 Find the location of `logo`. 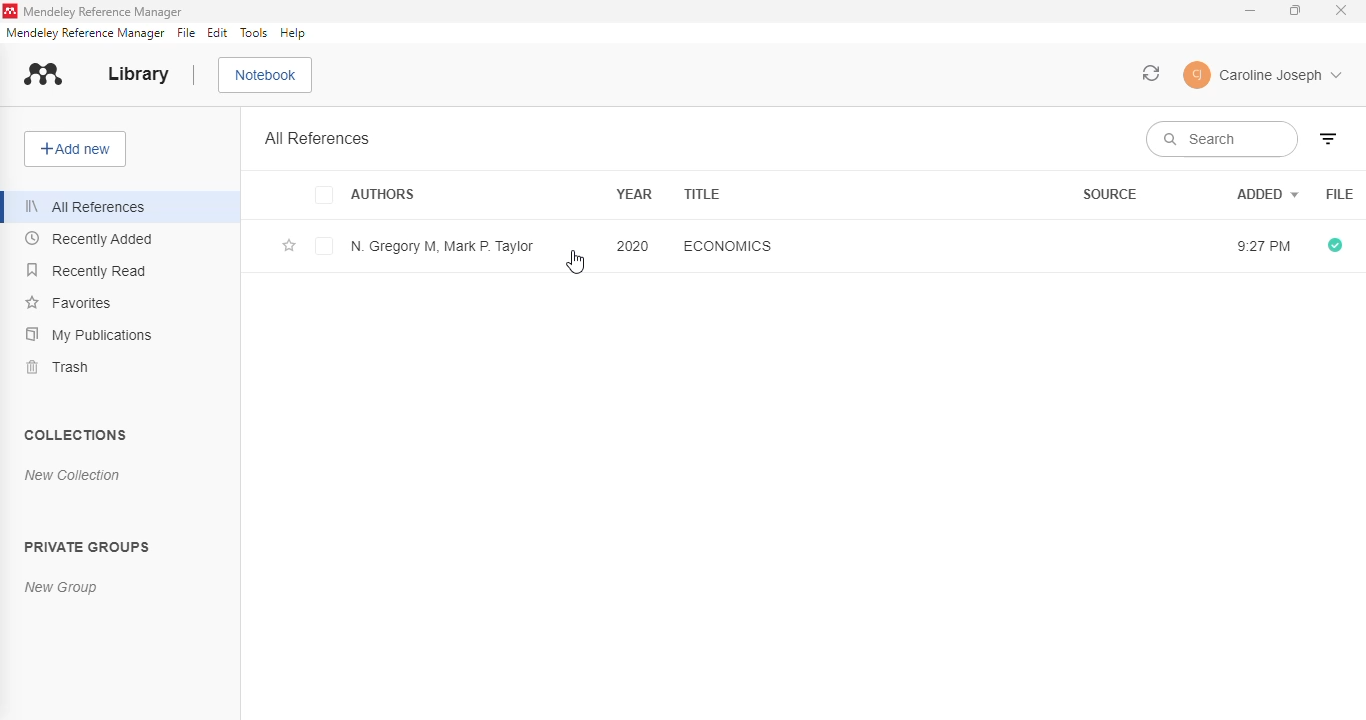

logo is located at coordinates (10, 11).